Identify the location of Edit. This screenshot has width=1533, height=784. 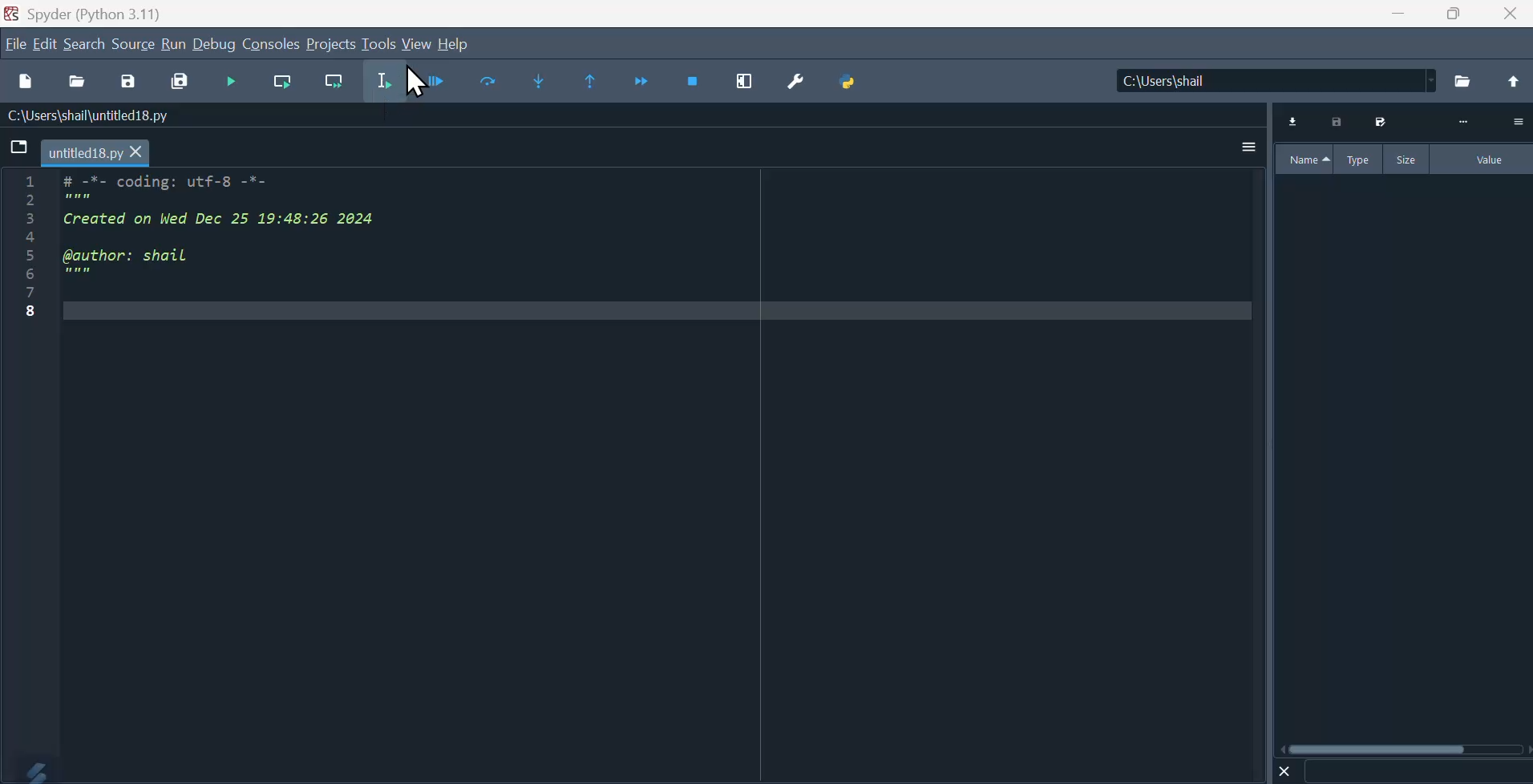
(47, 43).